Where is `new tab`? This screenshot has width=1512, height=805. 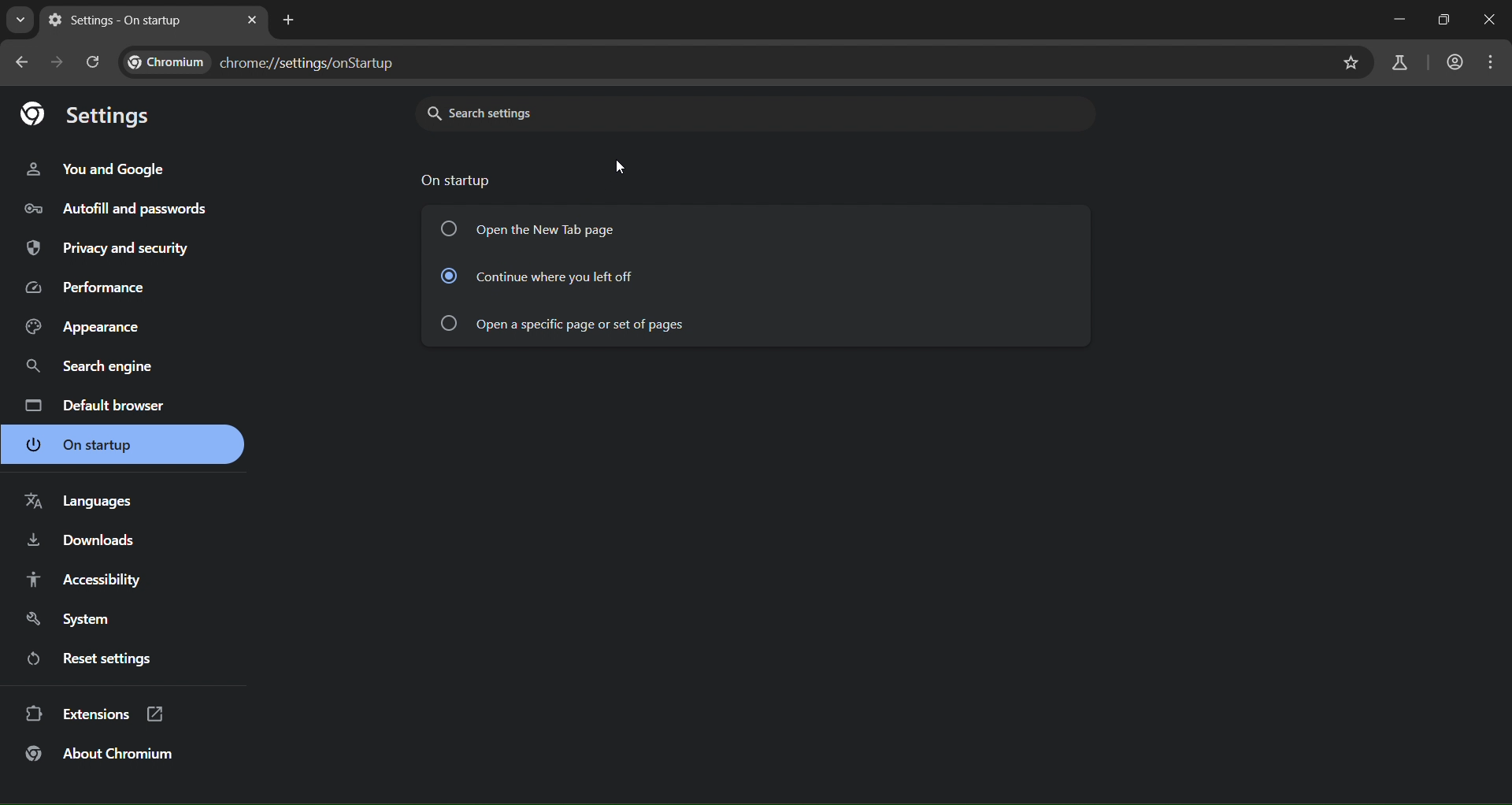
new tab is located at coordinates (289, 19).